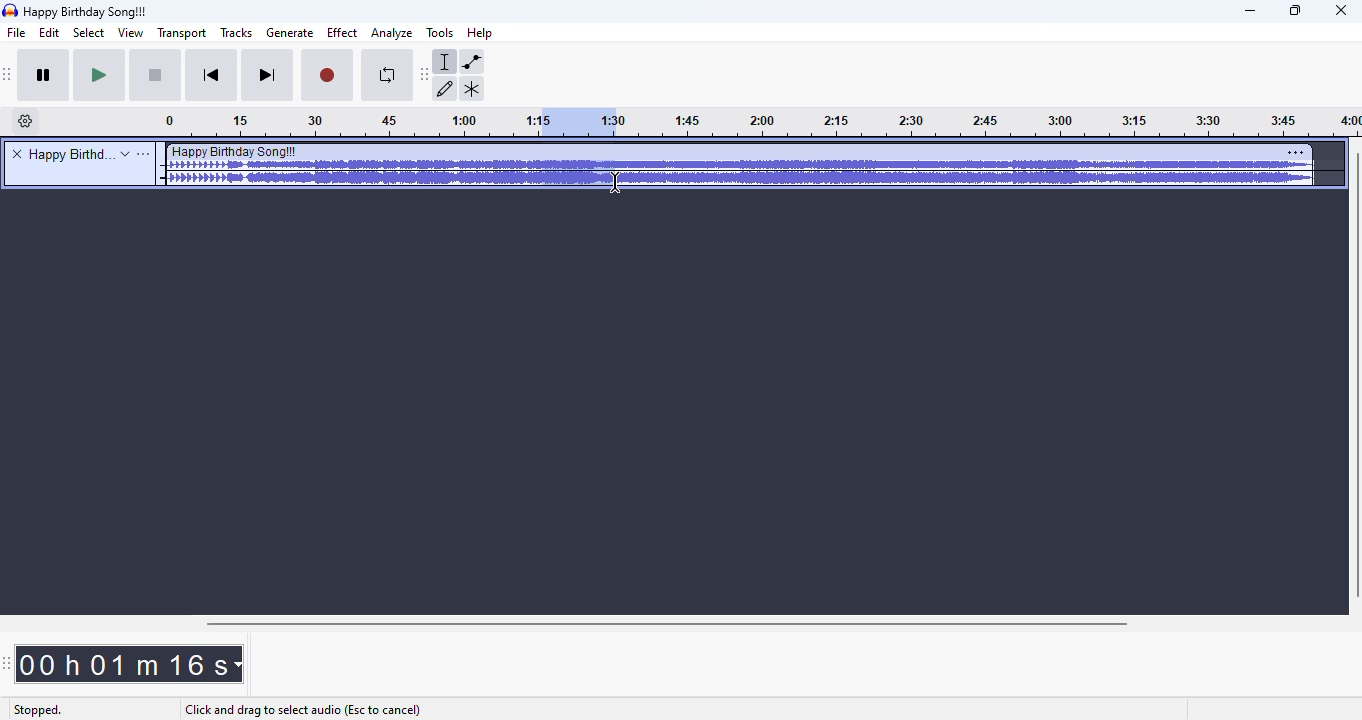 The image size is (1362, 720). What do you see at coordinates (237, 32) in the screenshot?
I see `tracks` at bounding box center [237, 32].